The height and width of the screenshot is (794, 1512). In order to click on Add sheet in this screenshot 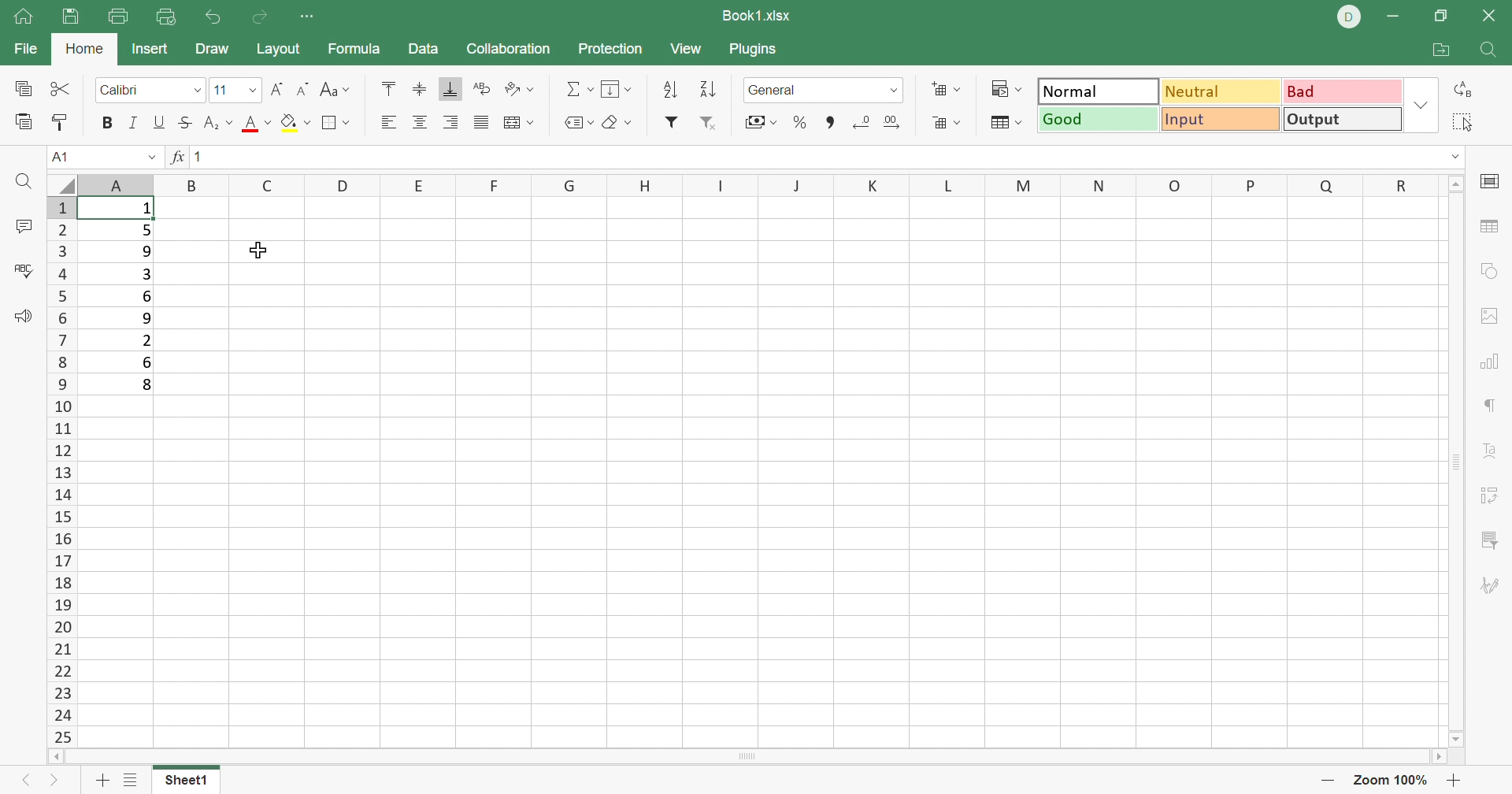, I will do `click(102, 782)`.